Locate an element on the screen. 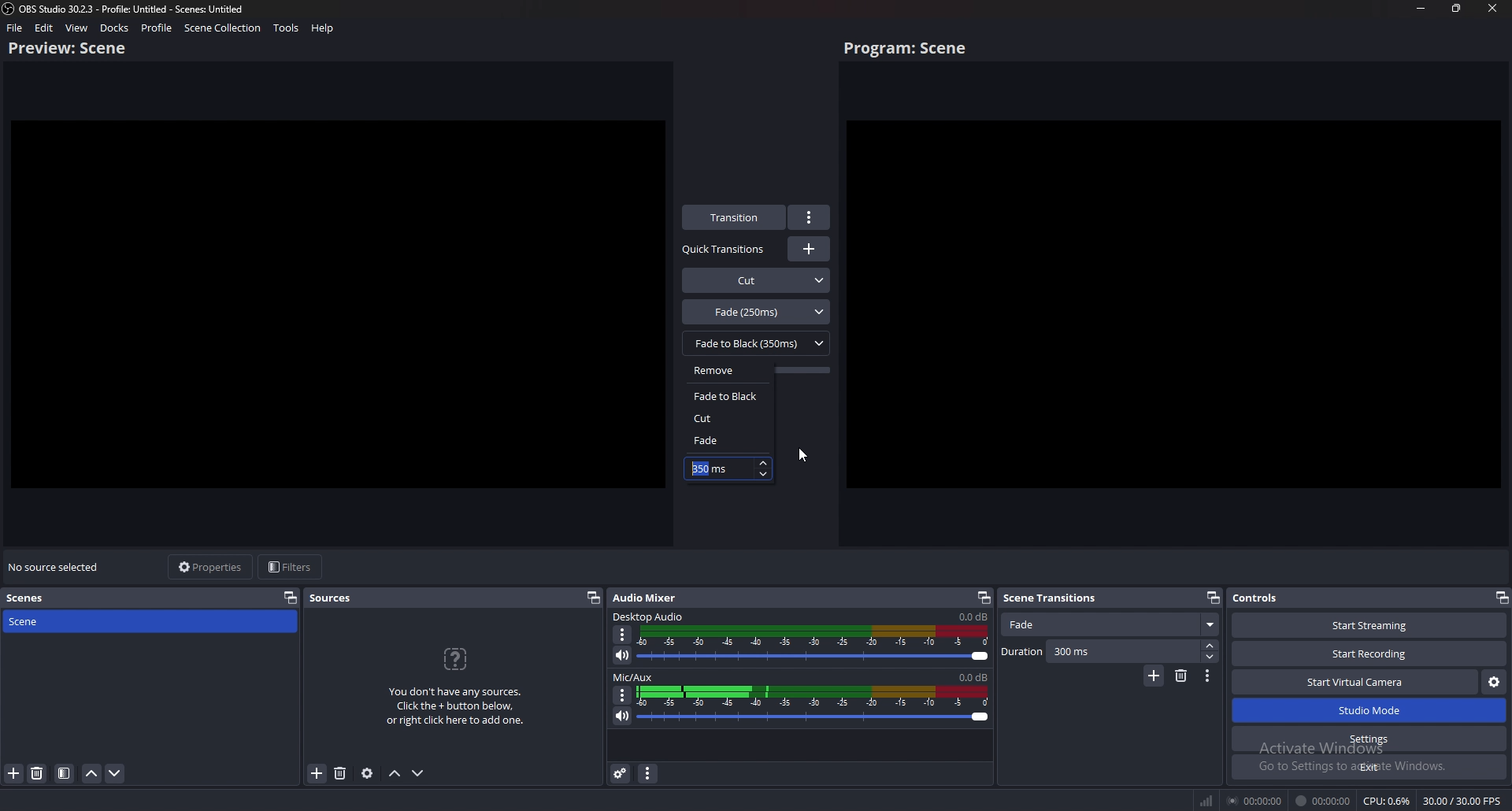  scene is located at coordinates (69, 621).